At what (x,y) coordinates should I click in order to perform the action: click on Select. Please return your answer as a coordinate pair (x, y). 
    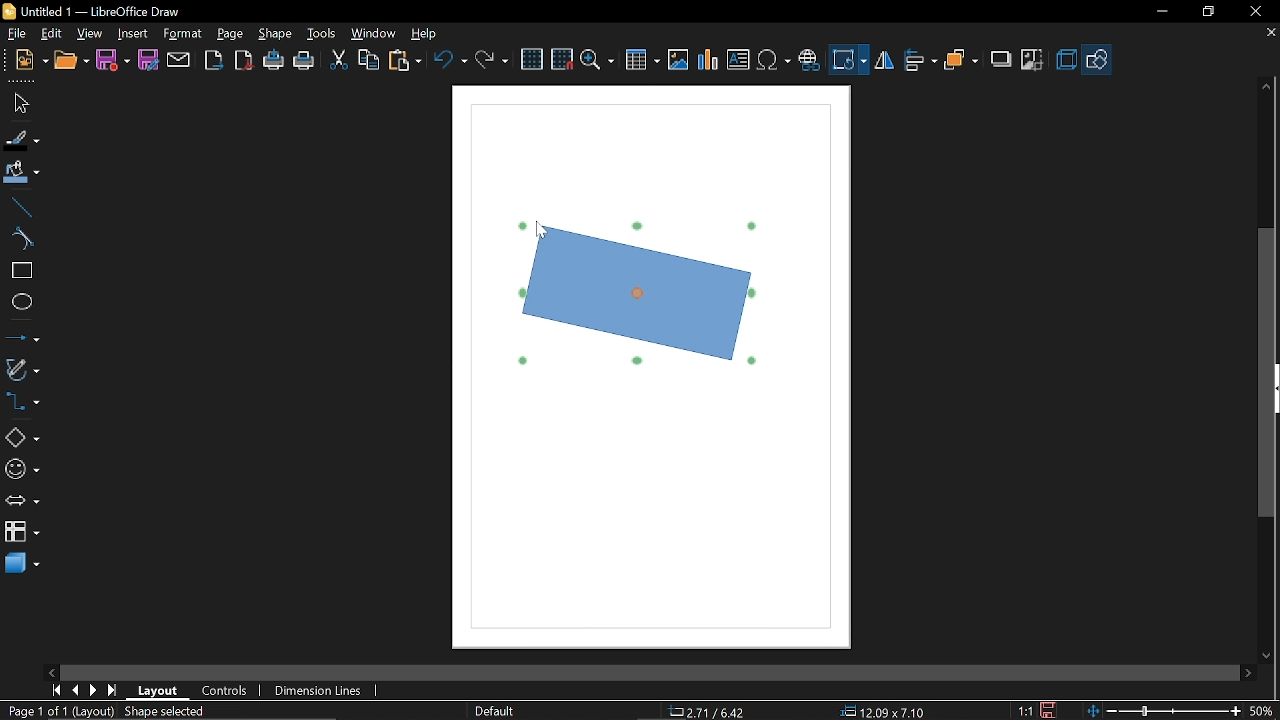
    Looking at the image, I should click on (20, 104).